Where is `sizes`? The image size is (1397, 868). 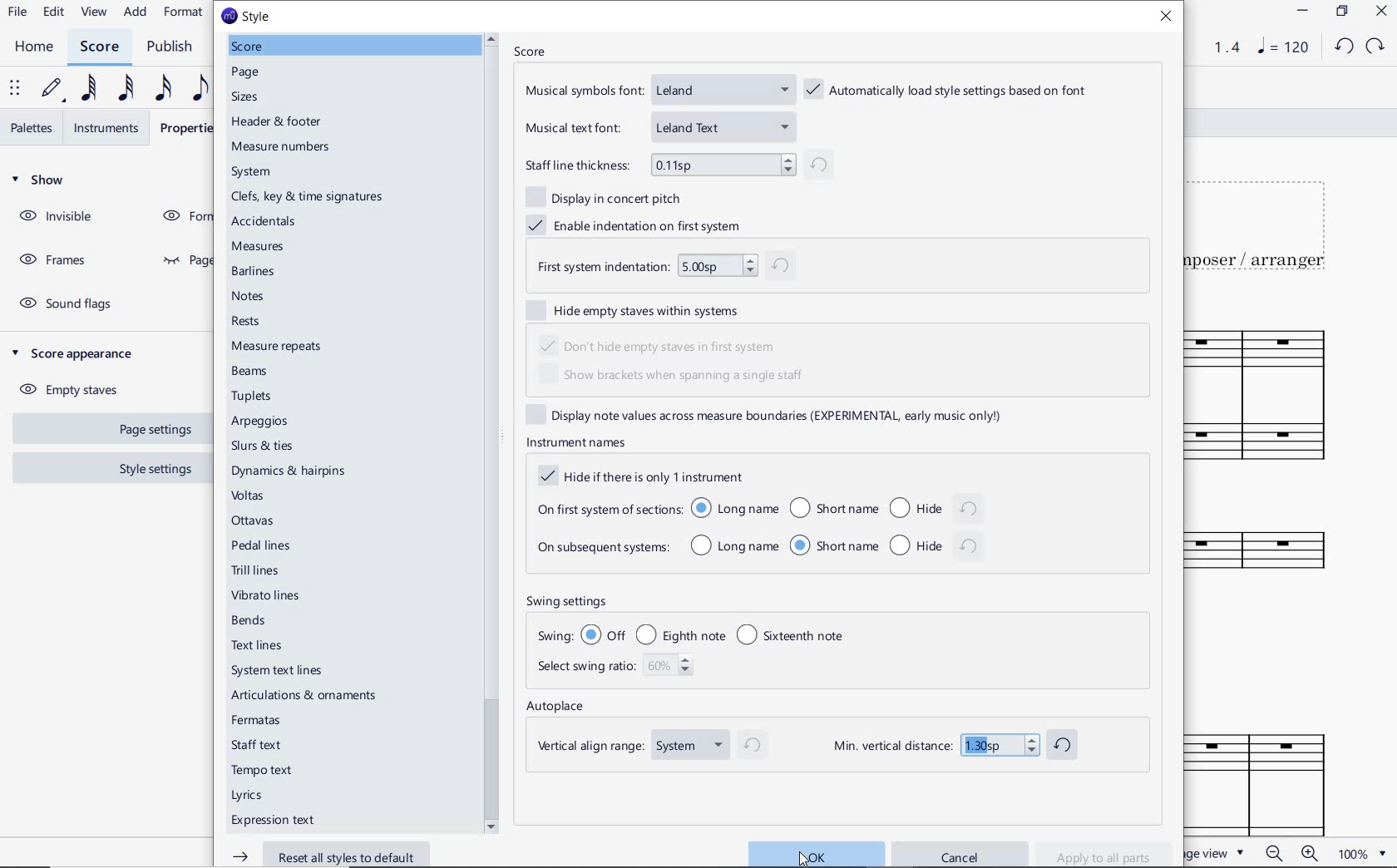 sizes is located at coordinates (242, 98).